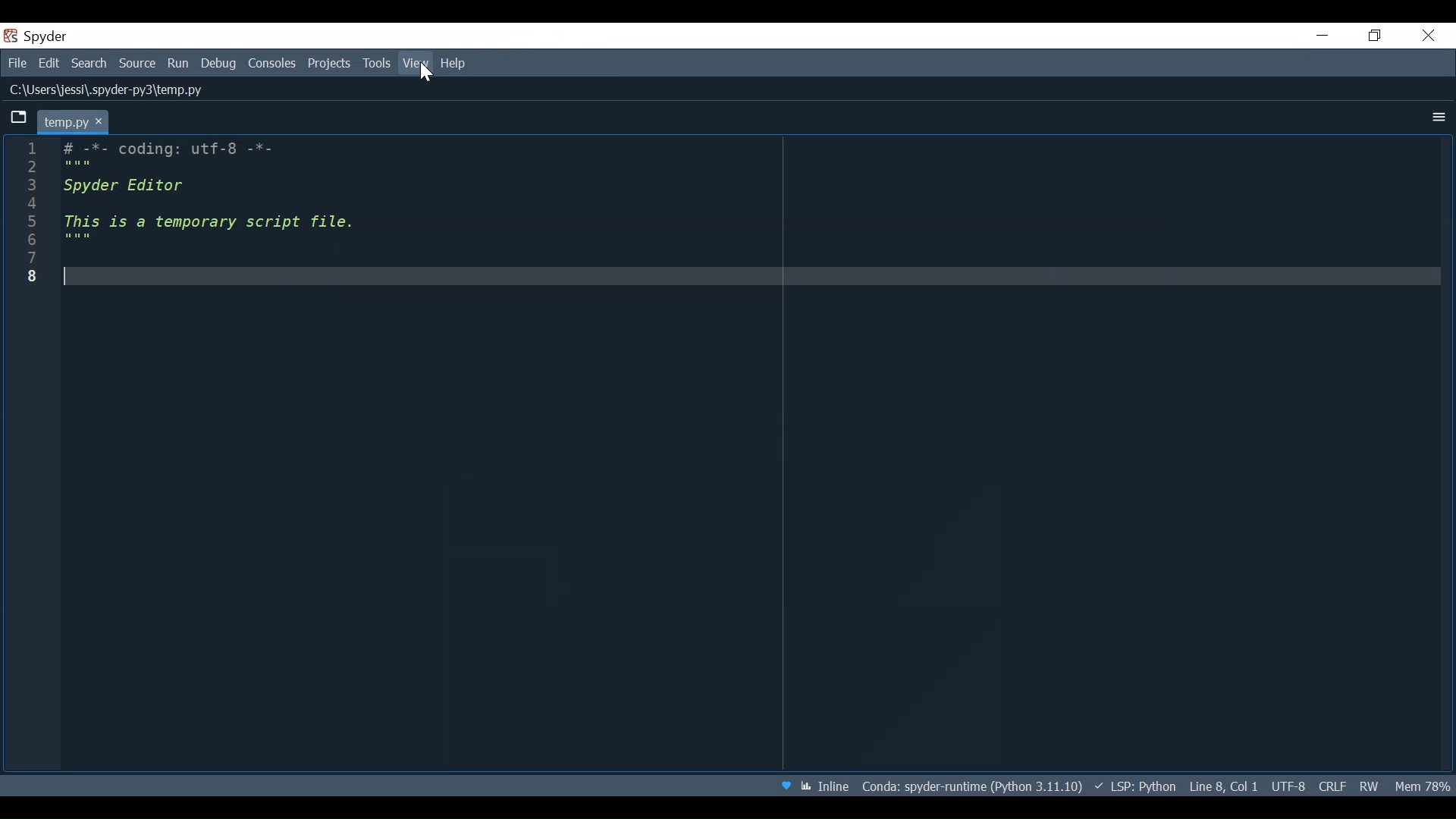  I want to click on Cursor, so click(427, 72).